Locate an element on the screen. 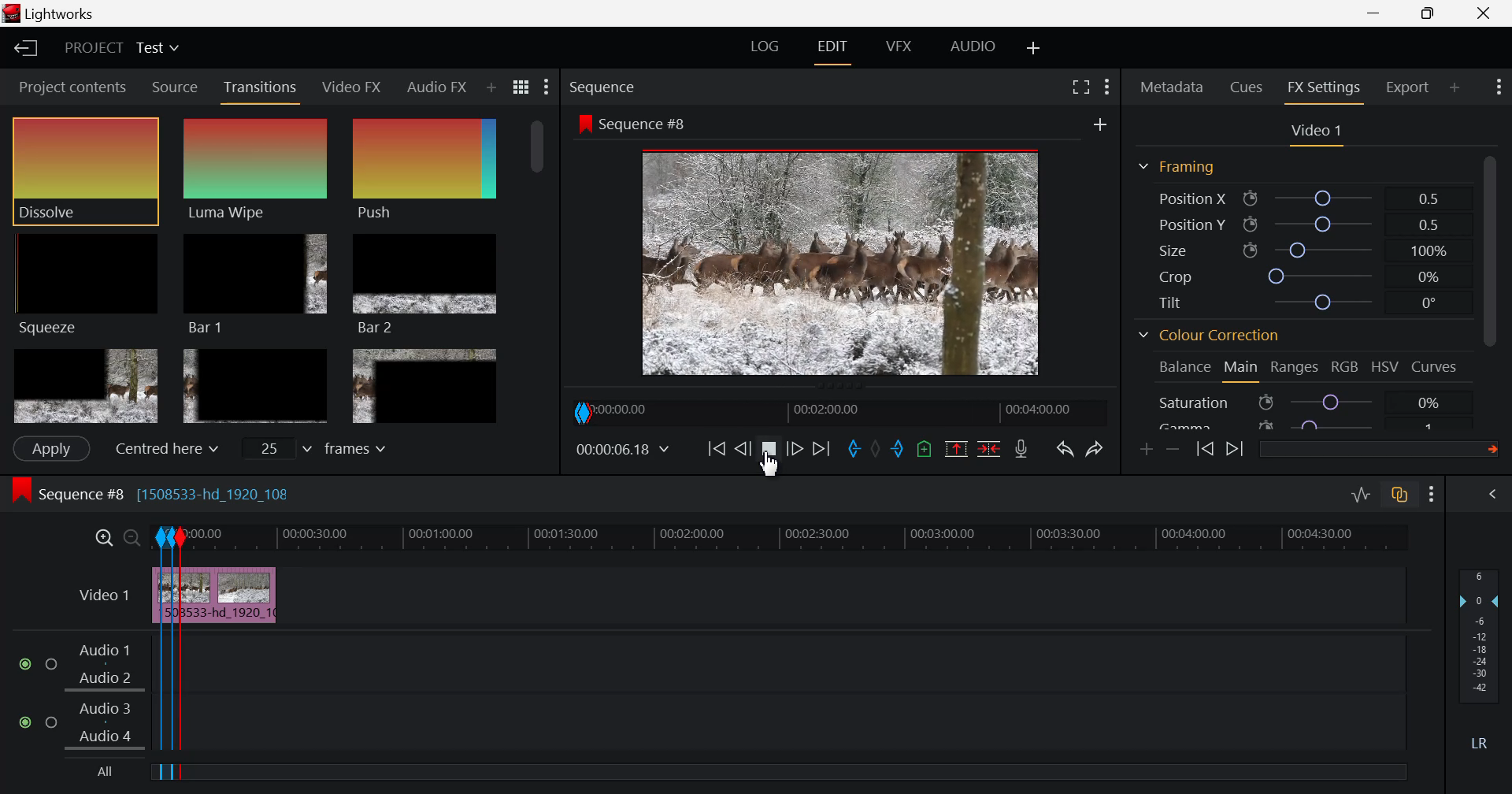 This screenshot has width=1512, height=794. Show Settings is located at coordinates (548, 87).